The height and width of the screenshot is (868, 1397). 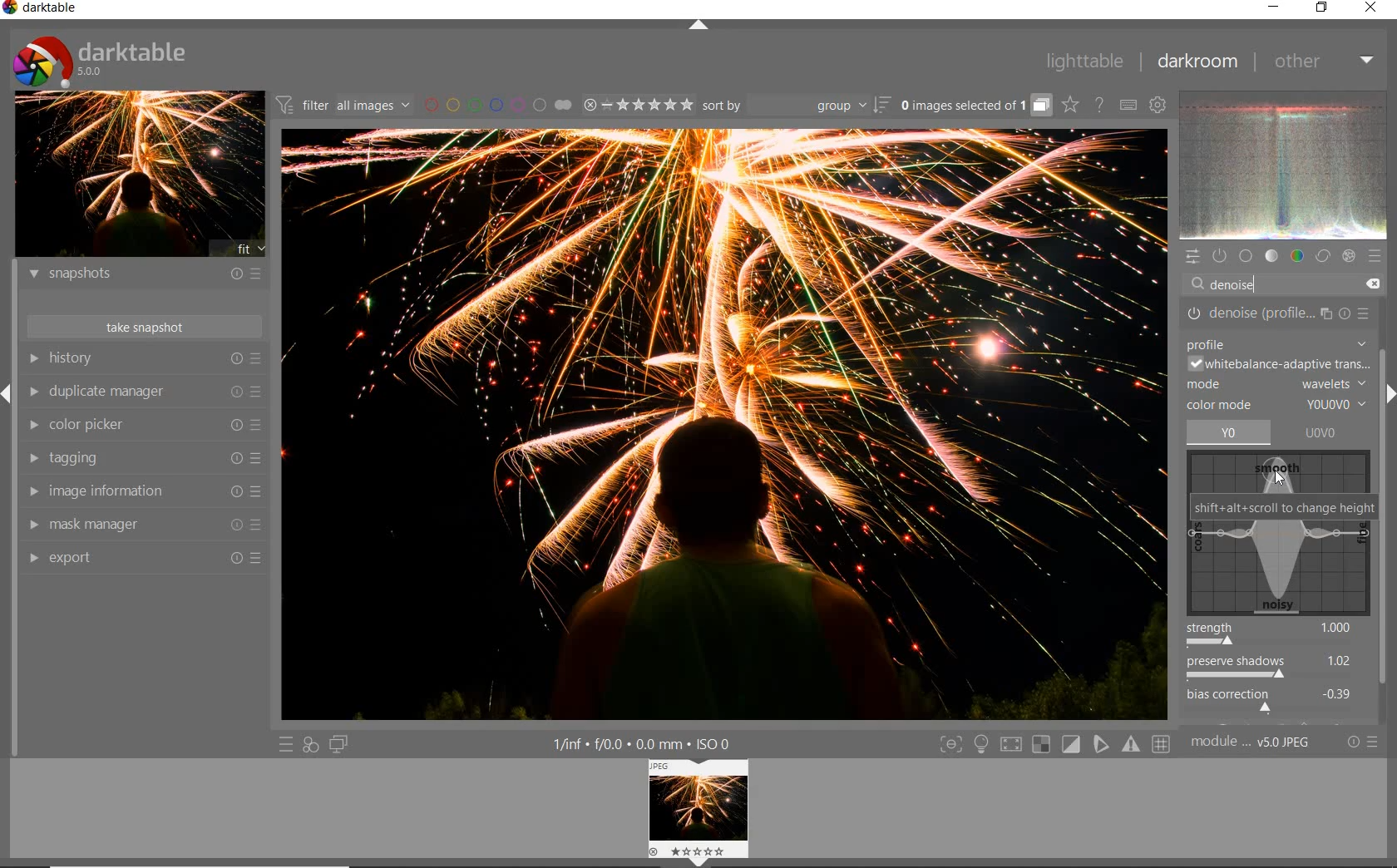 I want to click on noise reduced while preserving edge sharpness., so click(x=723, y=423).